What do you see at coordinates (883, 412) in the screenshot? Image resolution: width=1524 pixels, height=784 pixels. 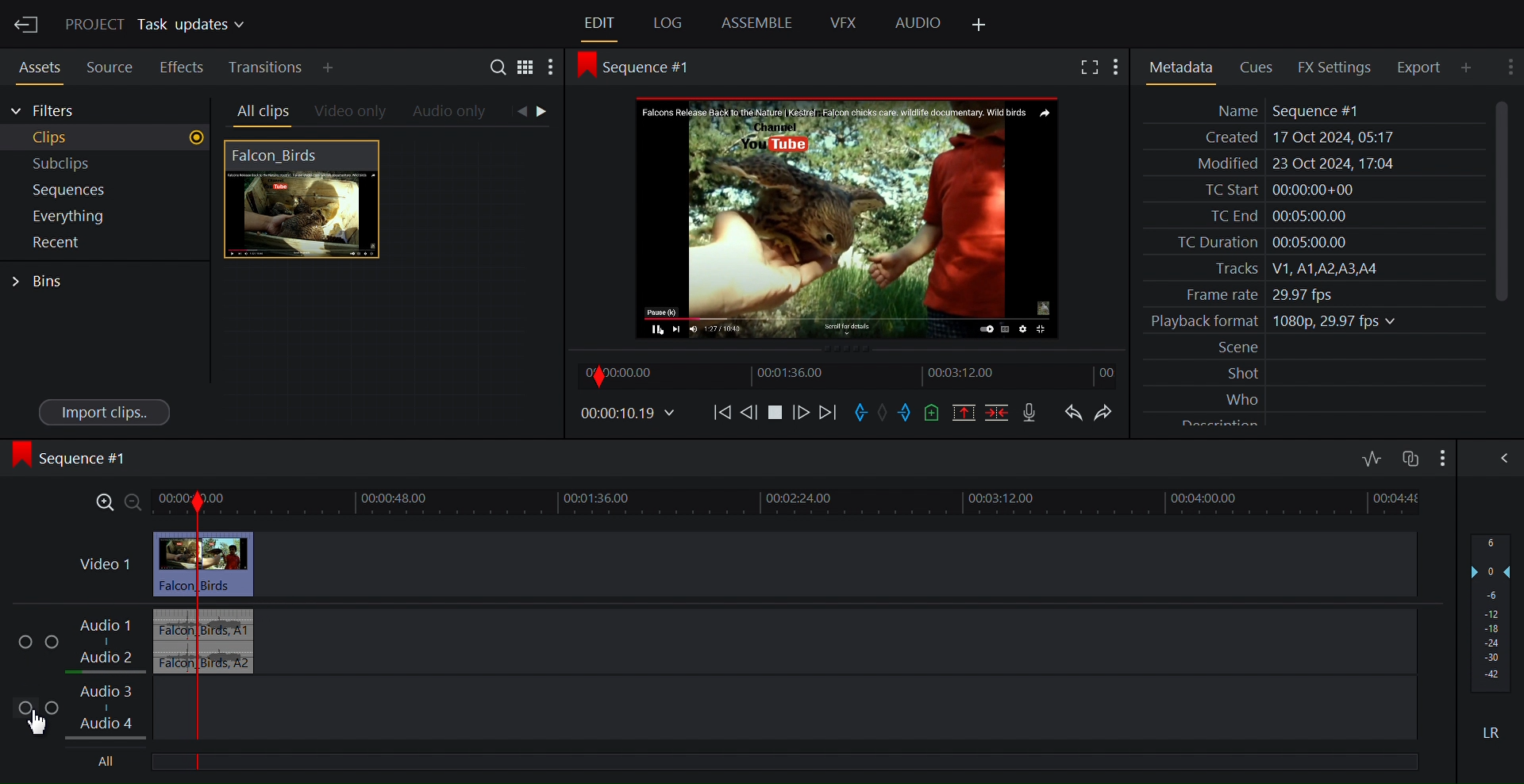 I see `Clear marks` at bounding box center [883, 412].